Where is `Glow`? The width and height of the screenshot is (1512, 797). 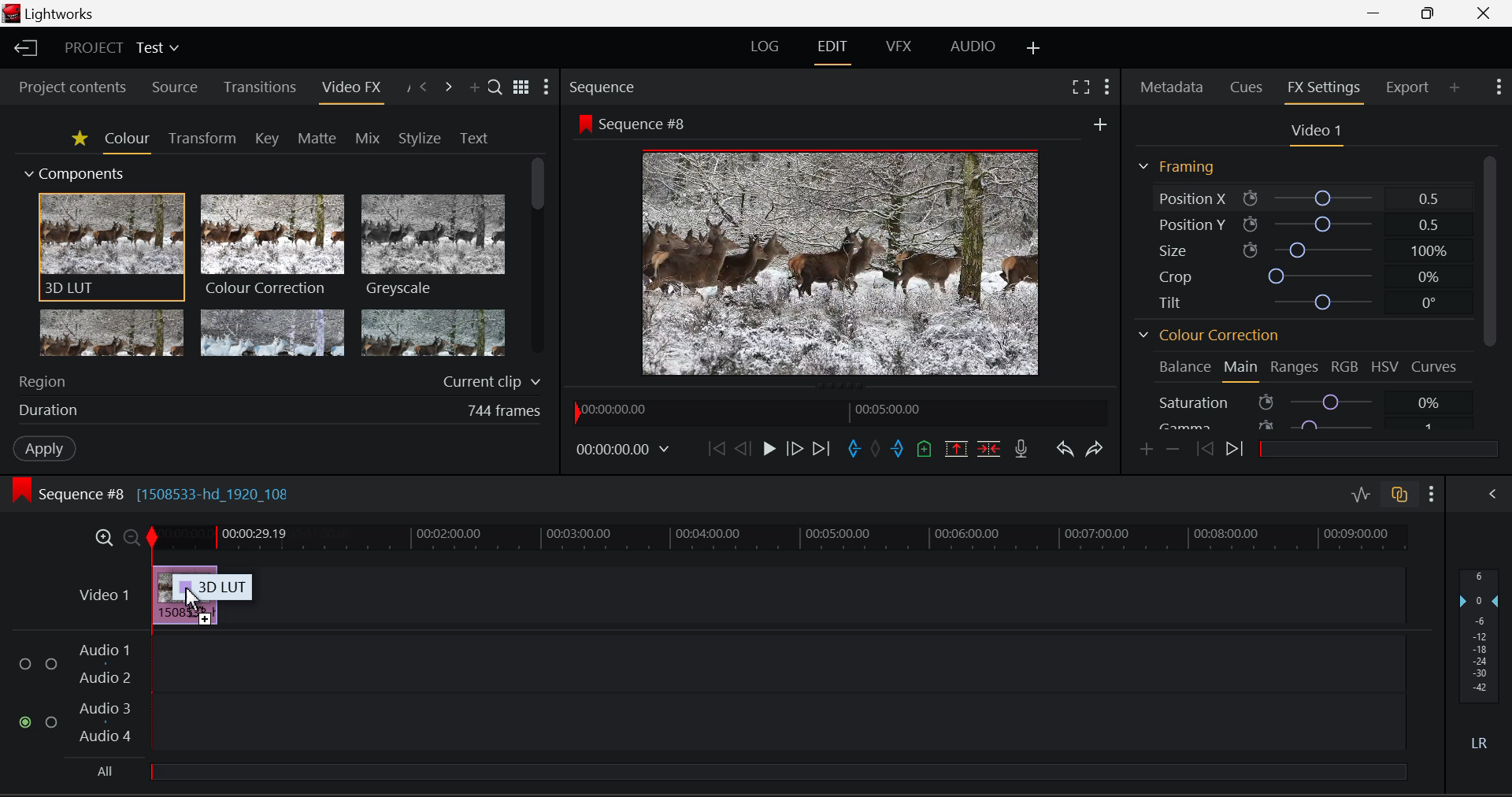 Glow is located at coordinates (112, 335).